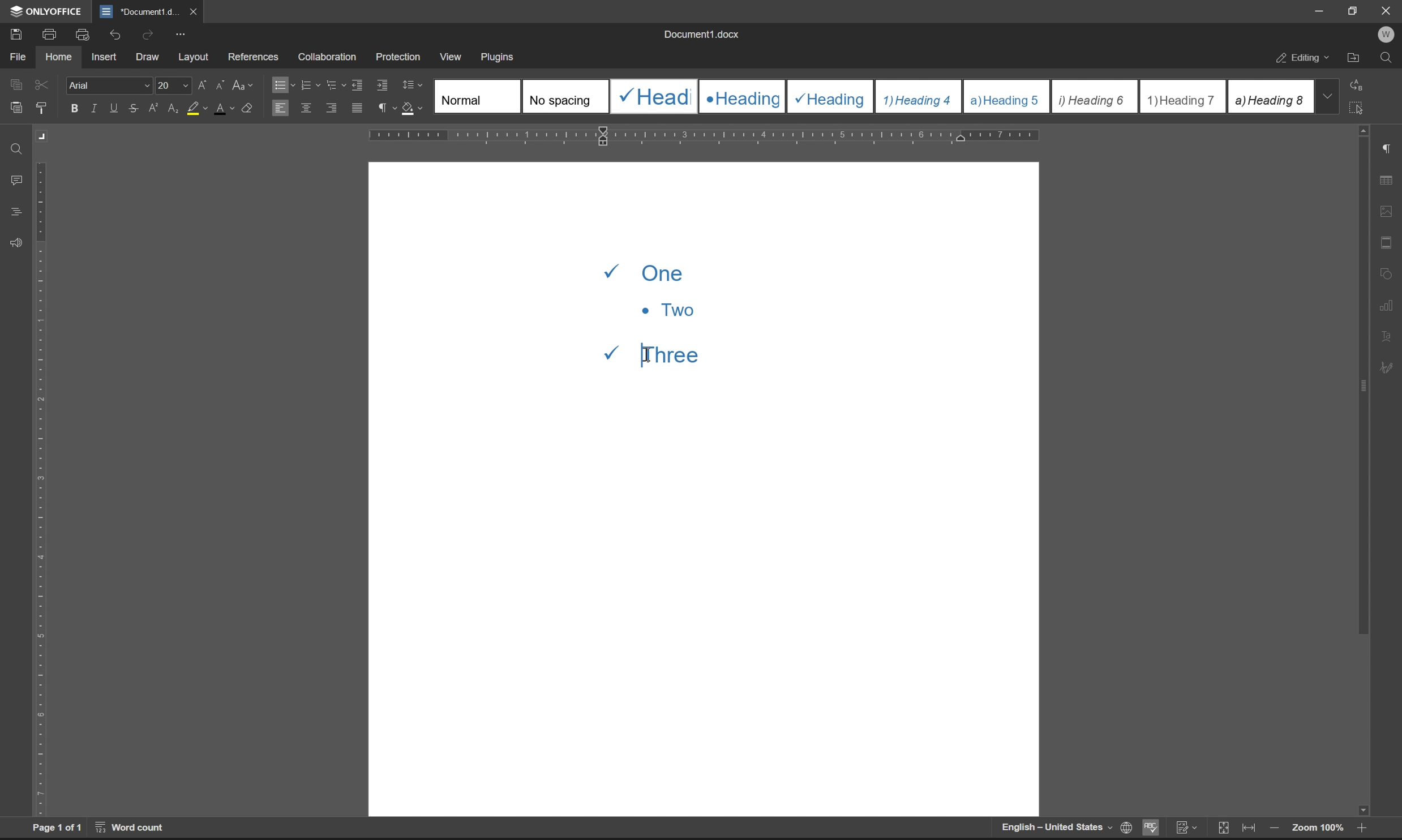 The width and height of the screenshot is (1402, 840). What do you see at coordinates (58, 55) in the screenshot?
I see `home` at bounding box center [58, 55].